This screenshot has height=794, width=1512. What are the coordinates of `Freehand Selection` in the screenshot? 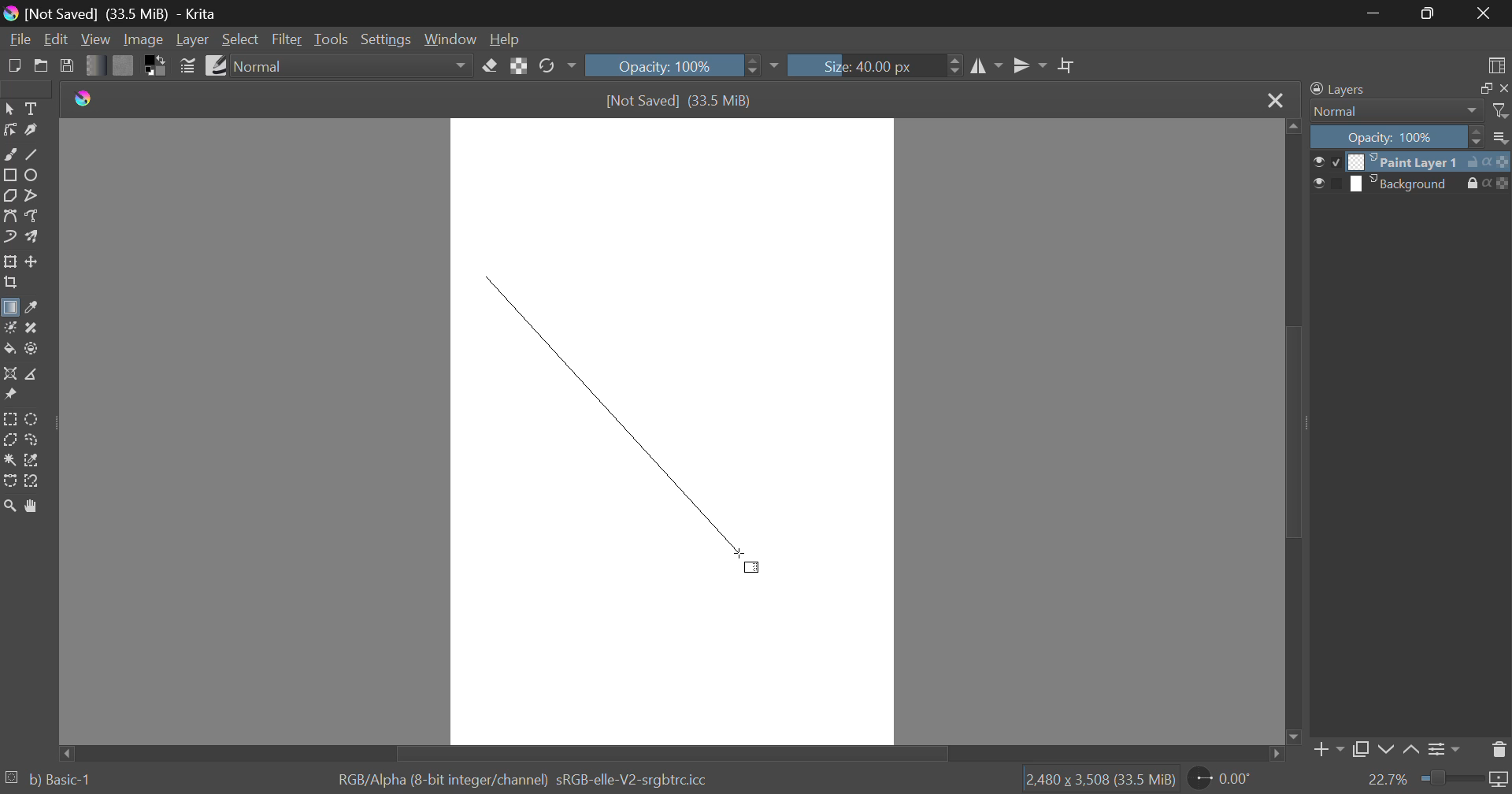 It's located at (32, 440).